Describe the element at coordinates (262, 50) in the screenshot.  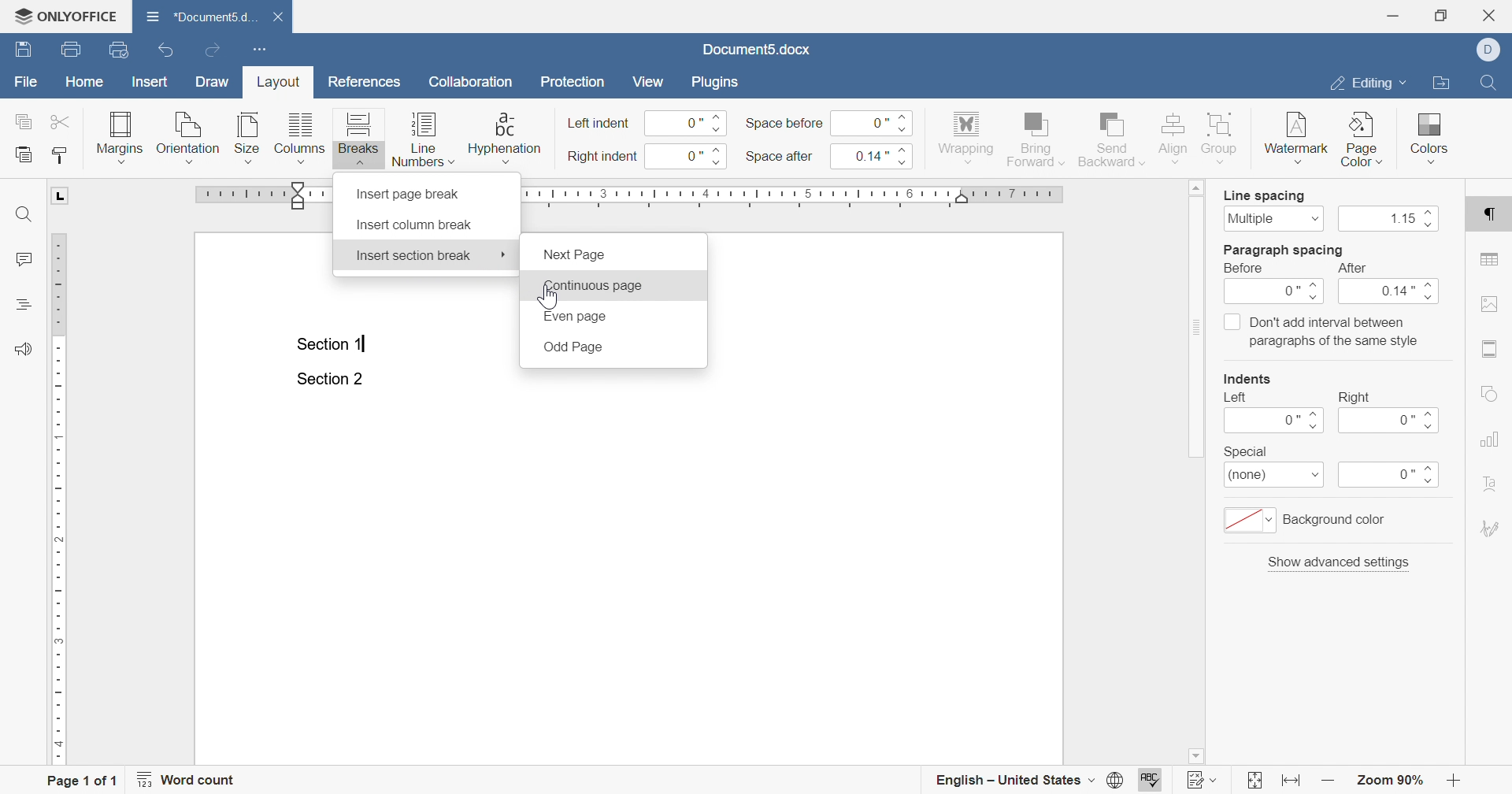
I see `customize quick access toolbar` at that location.